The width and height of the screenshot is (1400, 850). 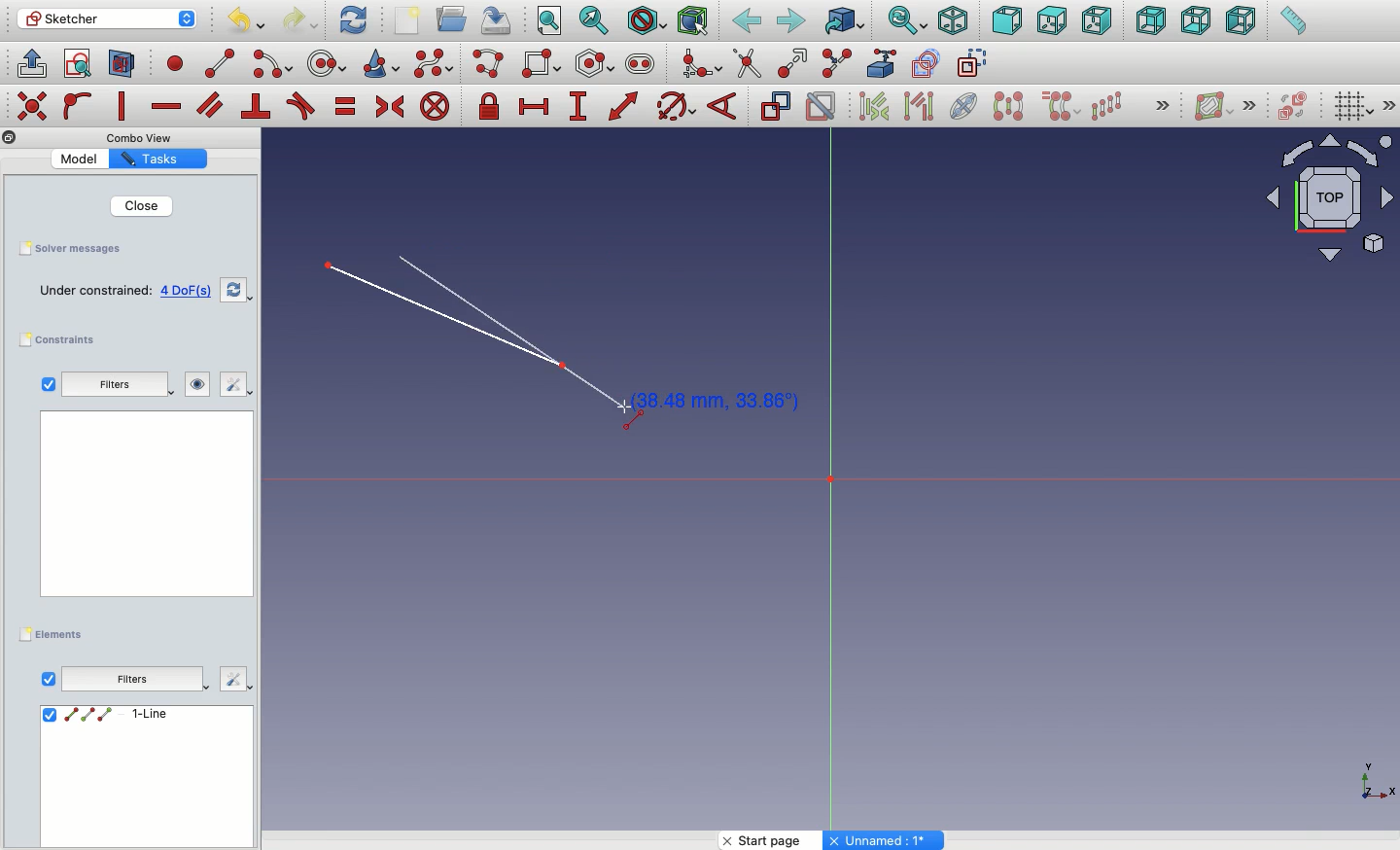 What do you see at coordinates (1149, 21) in the screenshot?
I see `Rear` at bounding box center [1149, 21].